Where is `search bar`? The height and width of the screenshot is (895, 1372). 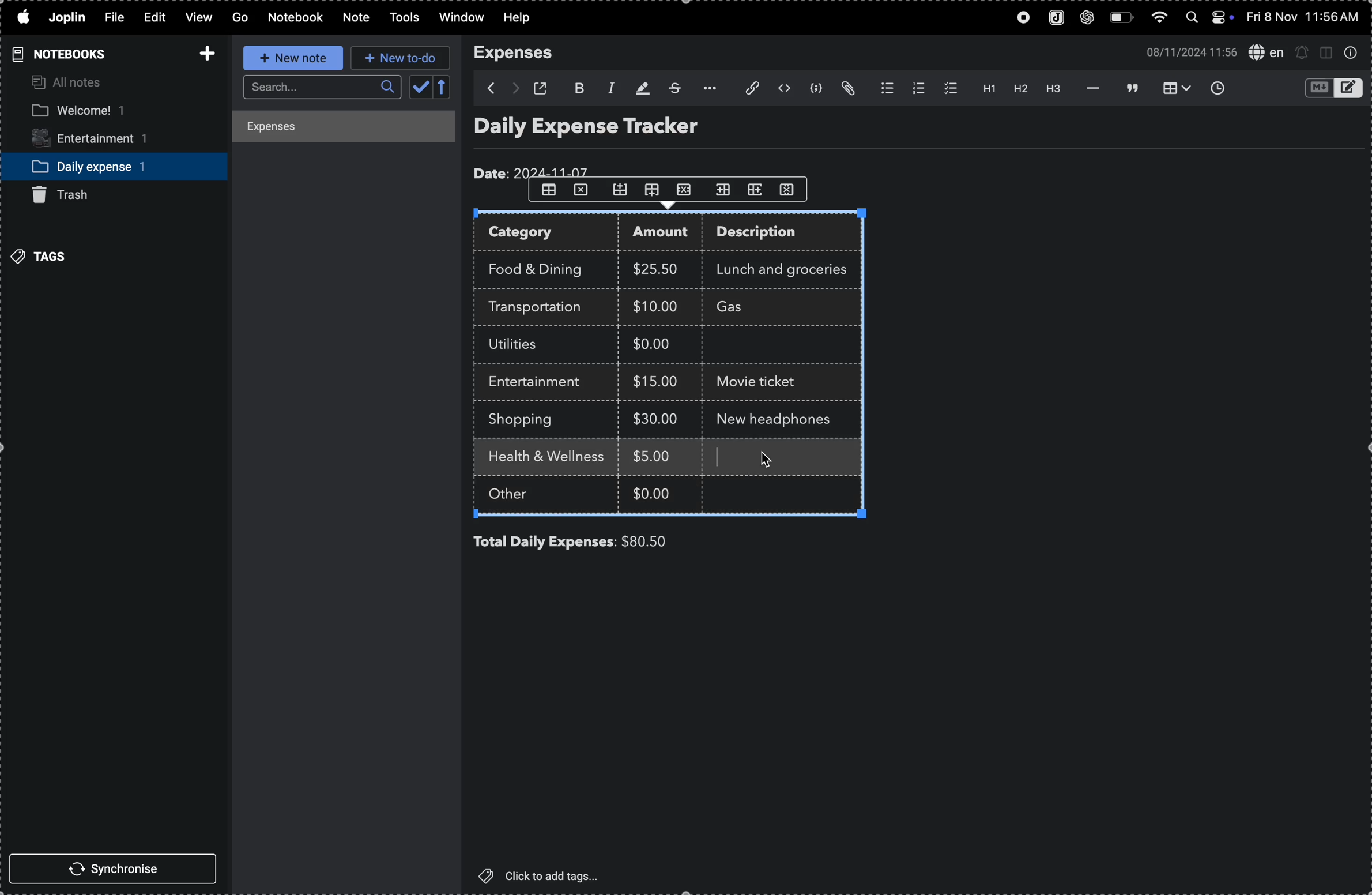 search bar is located at coordinates (319, 88).